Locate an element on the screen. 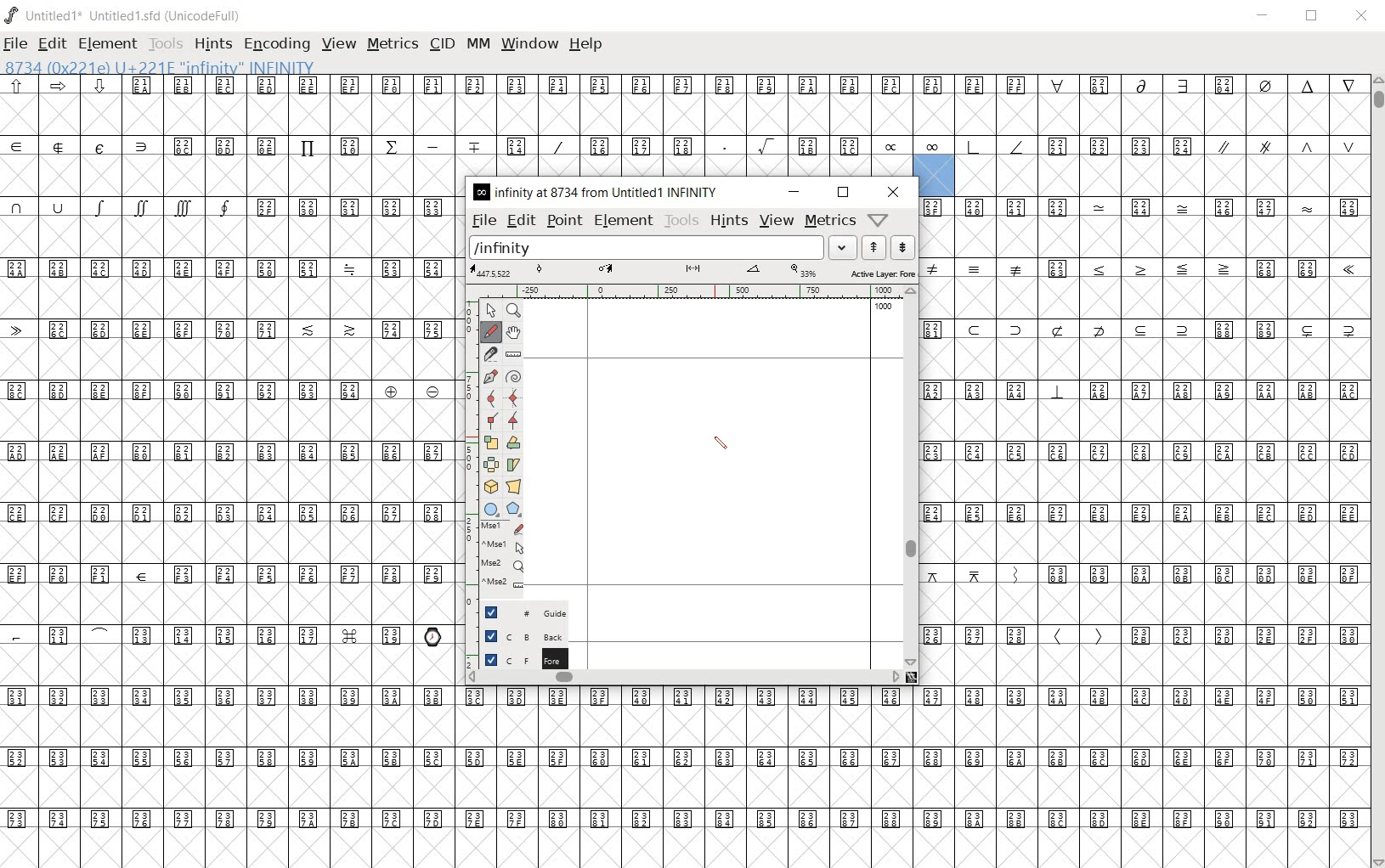 The image size is (1385, 868). hints is located at coordinates (727, 222).